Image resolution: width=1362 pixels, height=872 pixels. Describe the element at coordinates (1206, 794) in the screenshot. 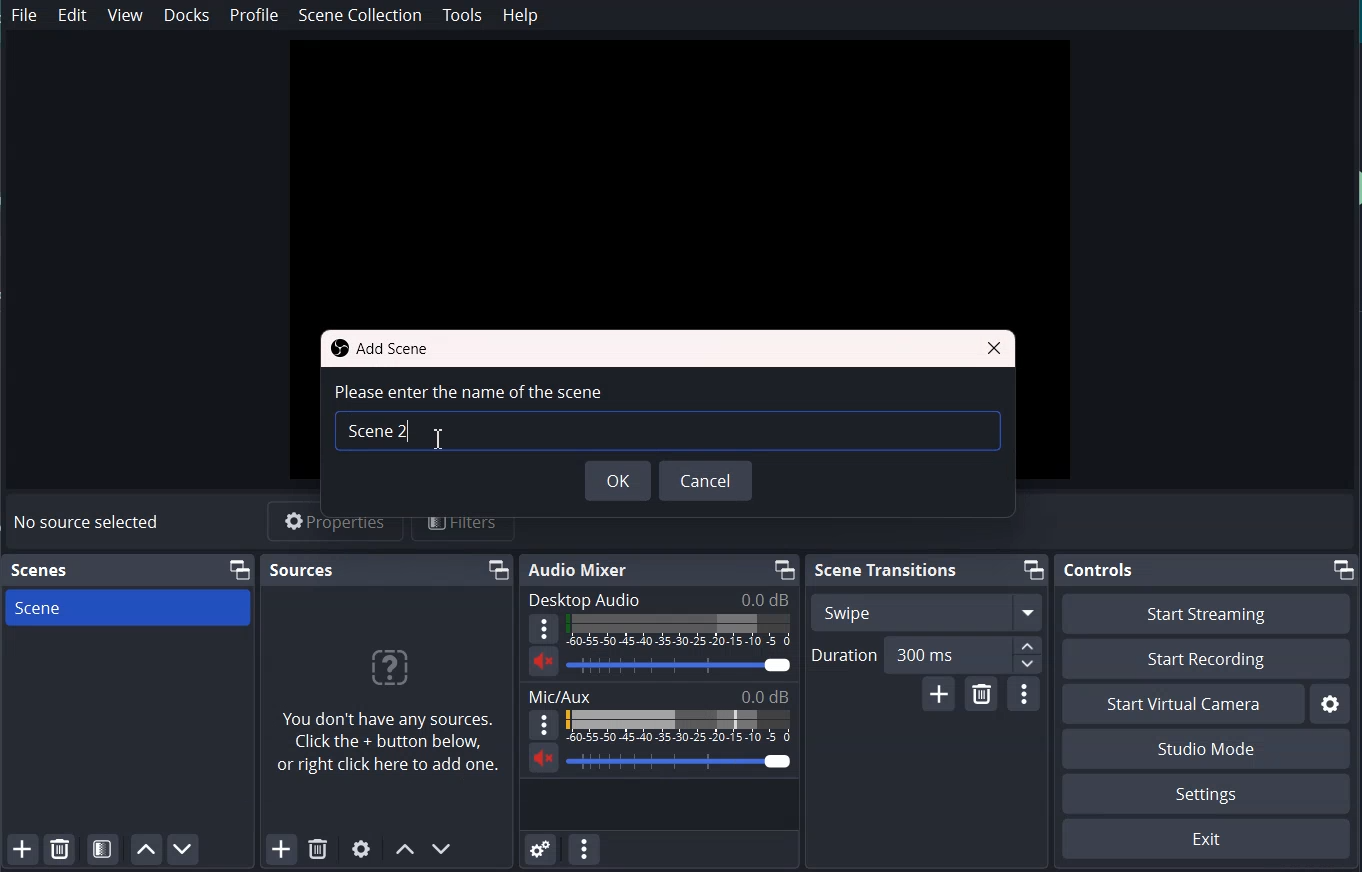

I see `Settings` at that location.